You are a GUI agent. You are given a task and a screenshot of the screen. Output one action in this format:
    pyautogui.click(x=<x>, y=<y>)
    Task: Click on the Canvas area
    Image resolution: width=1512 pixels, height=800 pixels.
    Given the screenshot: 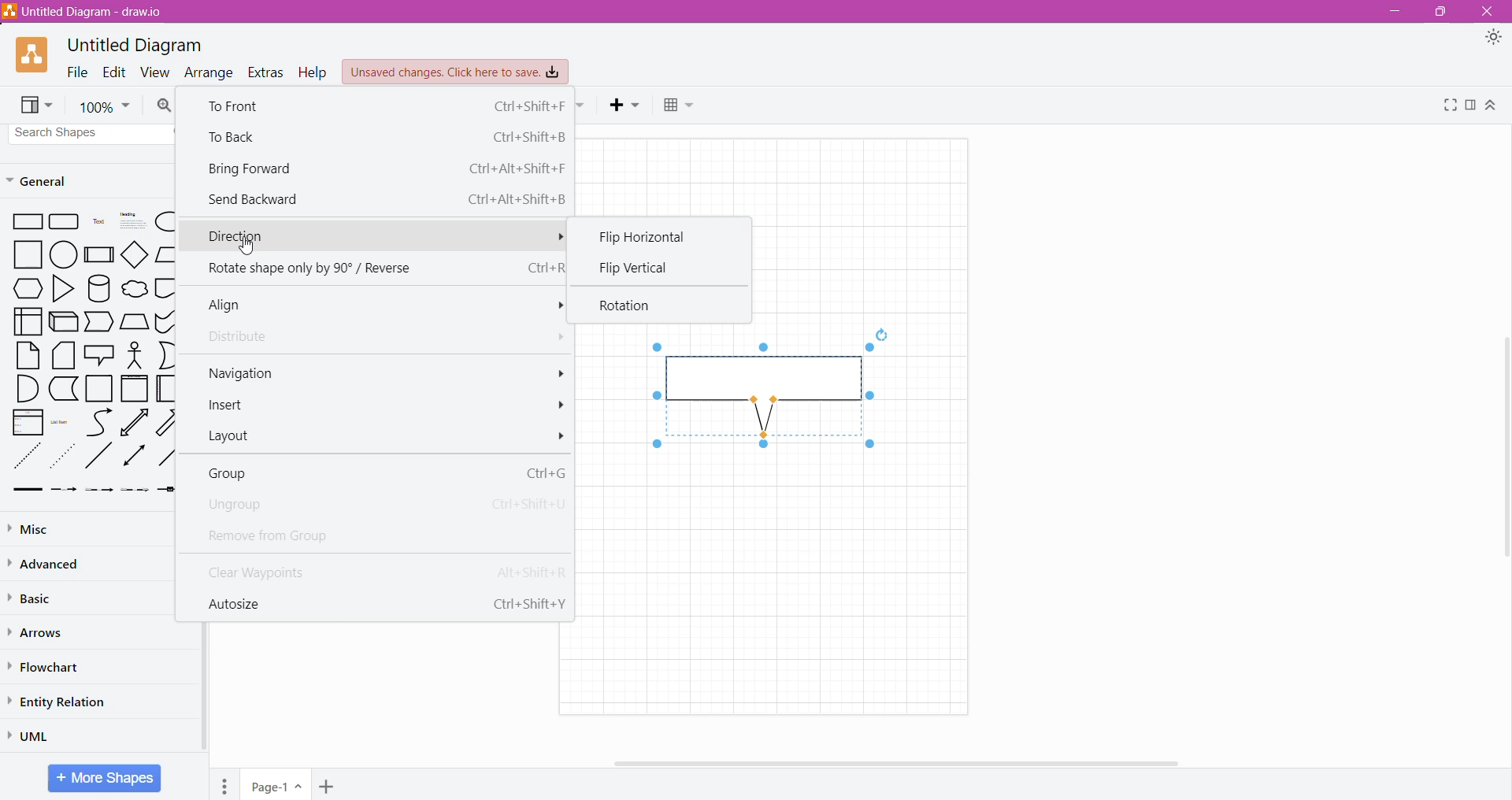 What is the action you would take?
    pyautogui.click(x=780, y=580)
    